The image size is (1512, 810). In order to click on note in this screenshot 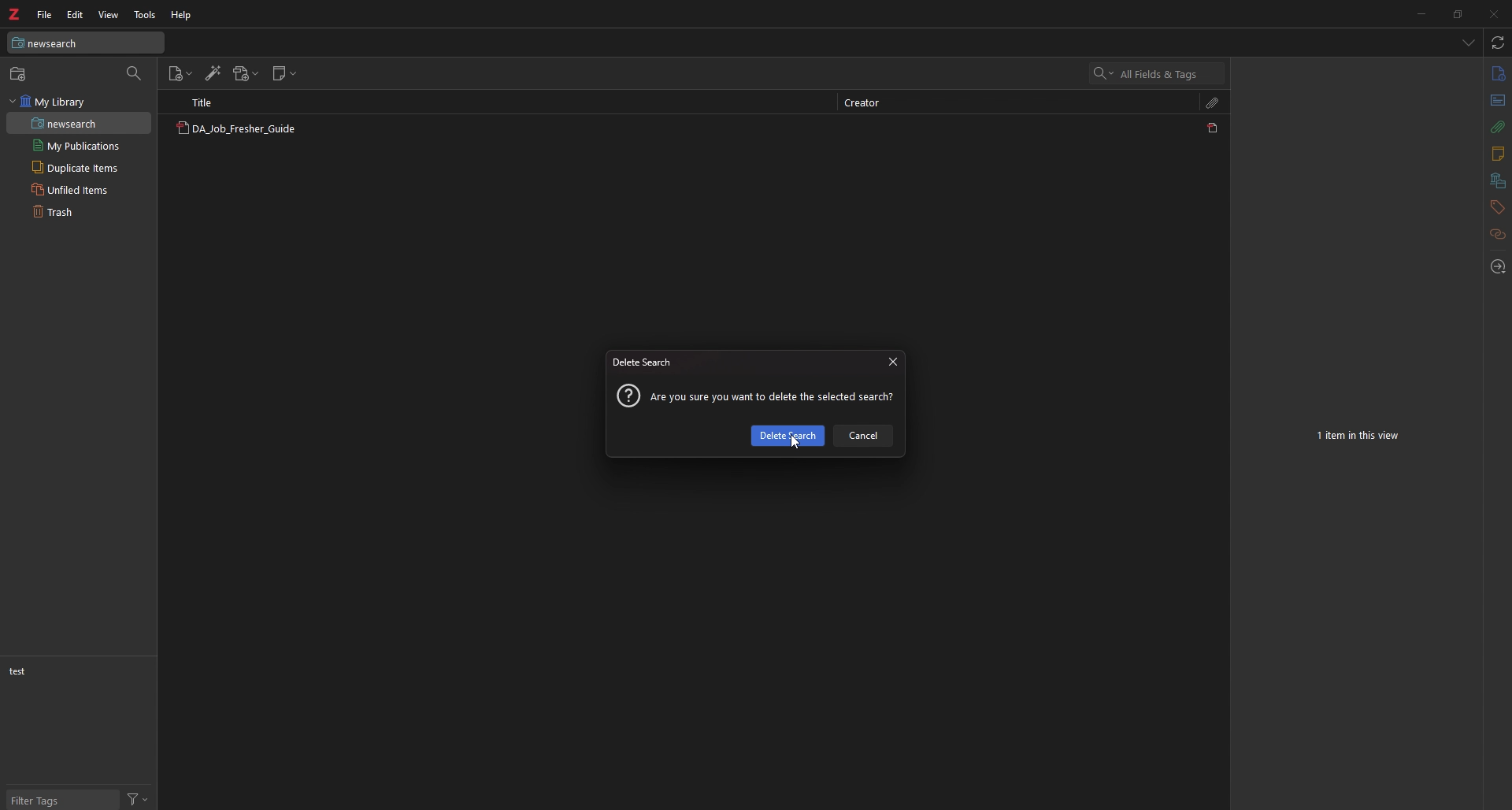, I will do `click(246, 128)`.